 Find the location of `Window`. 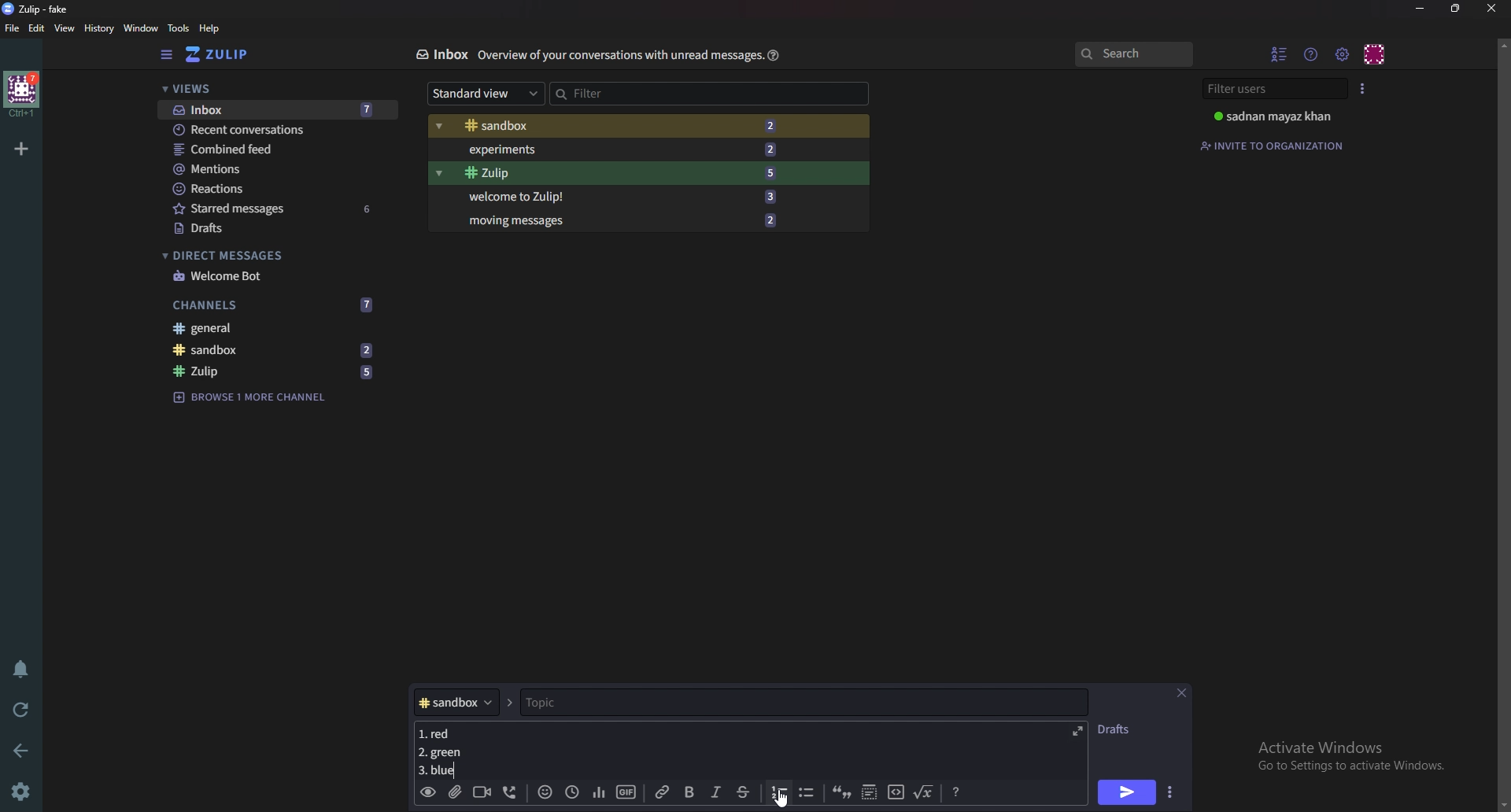

Window is located at coordinates (139, 28).